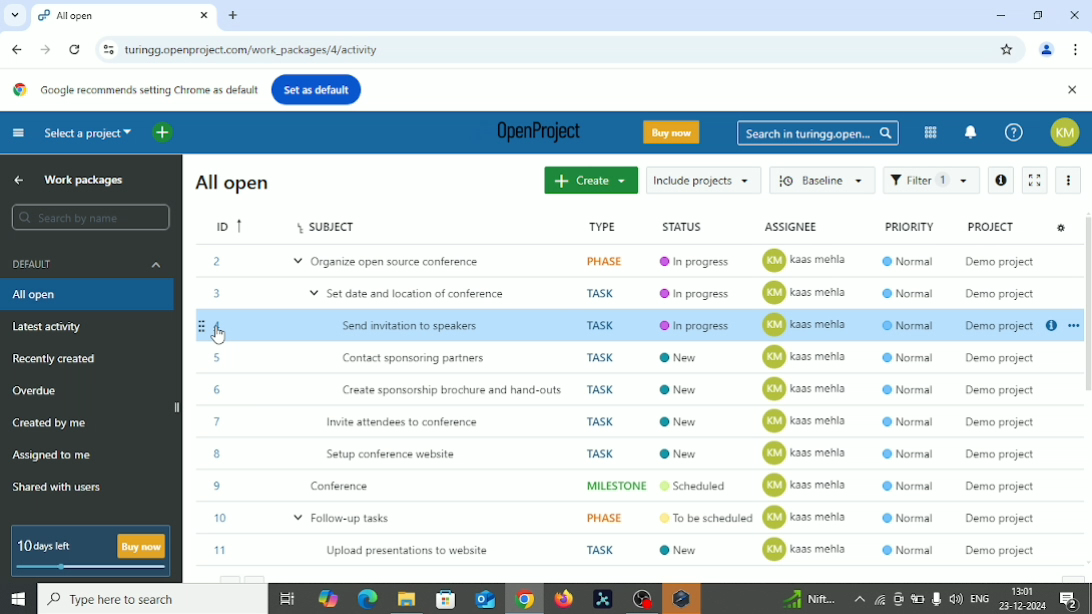 The height and width of the screenshot is (614, 1092). What do you see at coordinates (1051, 327) in the screenshot?
I see `Open details view` at bounding box center [1051, 327].